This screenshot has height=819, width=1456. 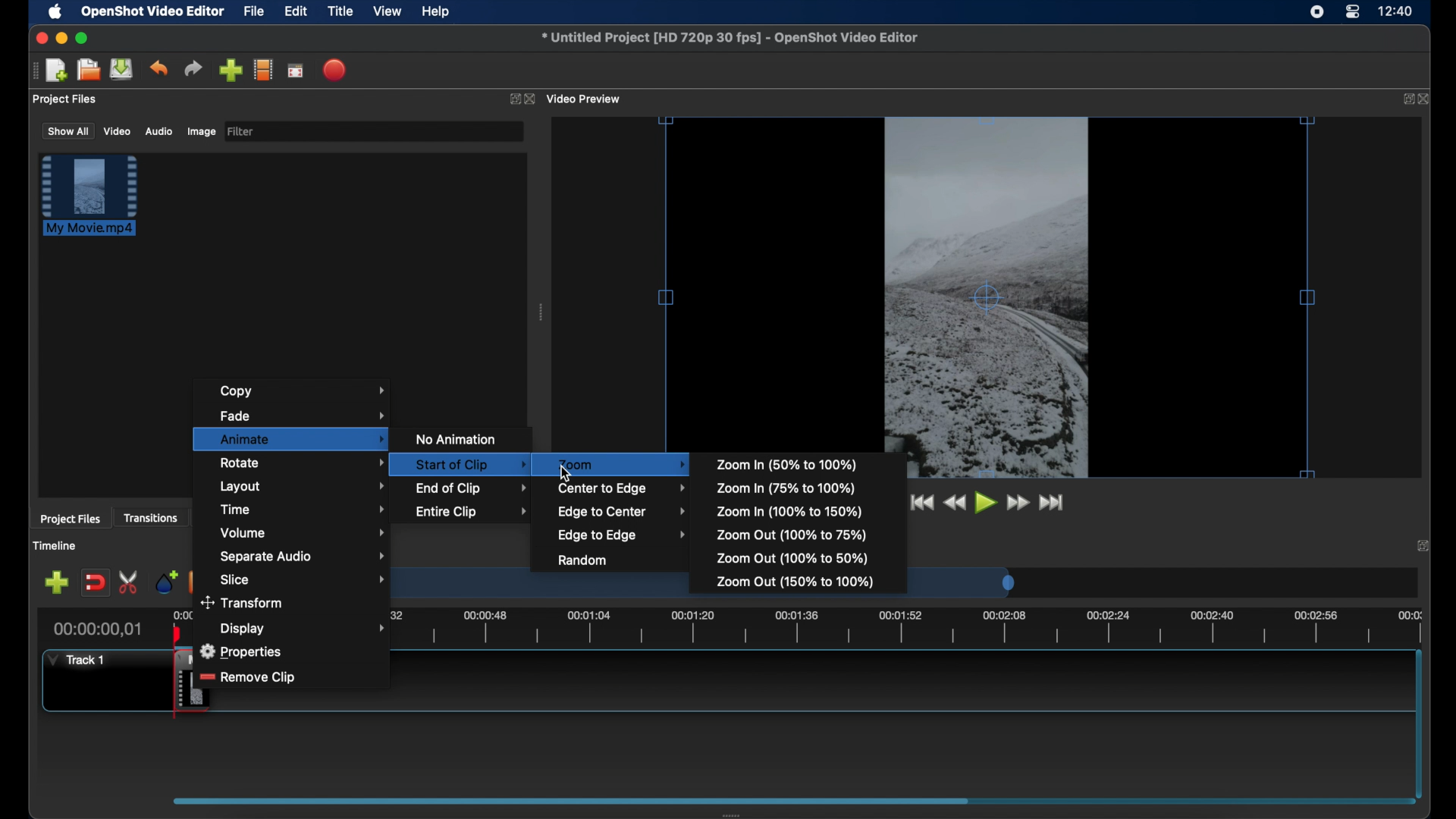 What do you see at coordinates (863, 631) in the screenshot?
I see `timeline scale` at bounding box center [863, 631].